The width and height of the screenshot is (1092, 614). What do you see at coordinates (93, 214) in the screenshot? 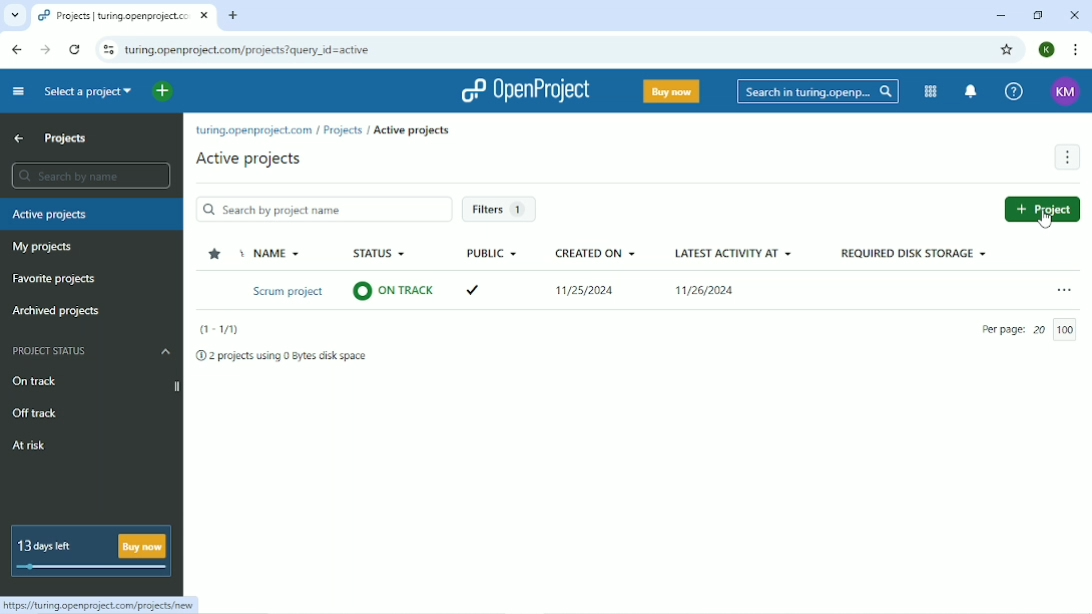
I see `Active projects` at bounding box center [93, 214].